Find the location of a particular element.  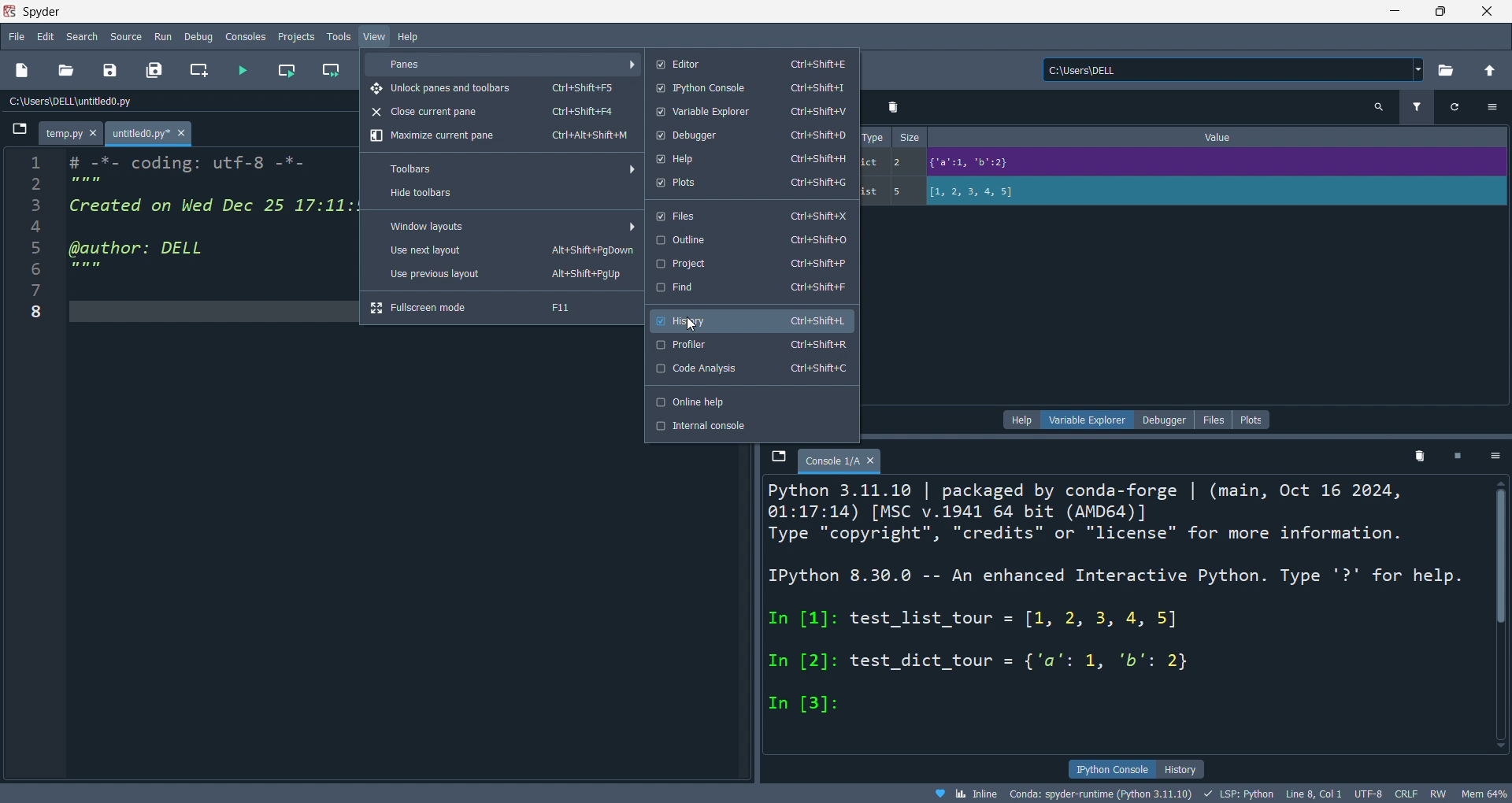

save all is located at coordinates (154, 71).